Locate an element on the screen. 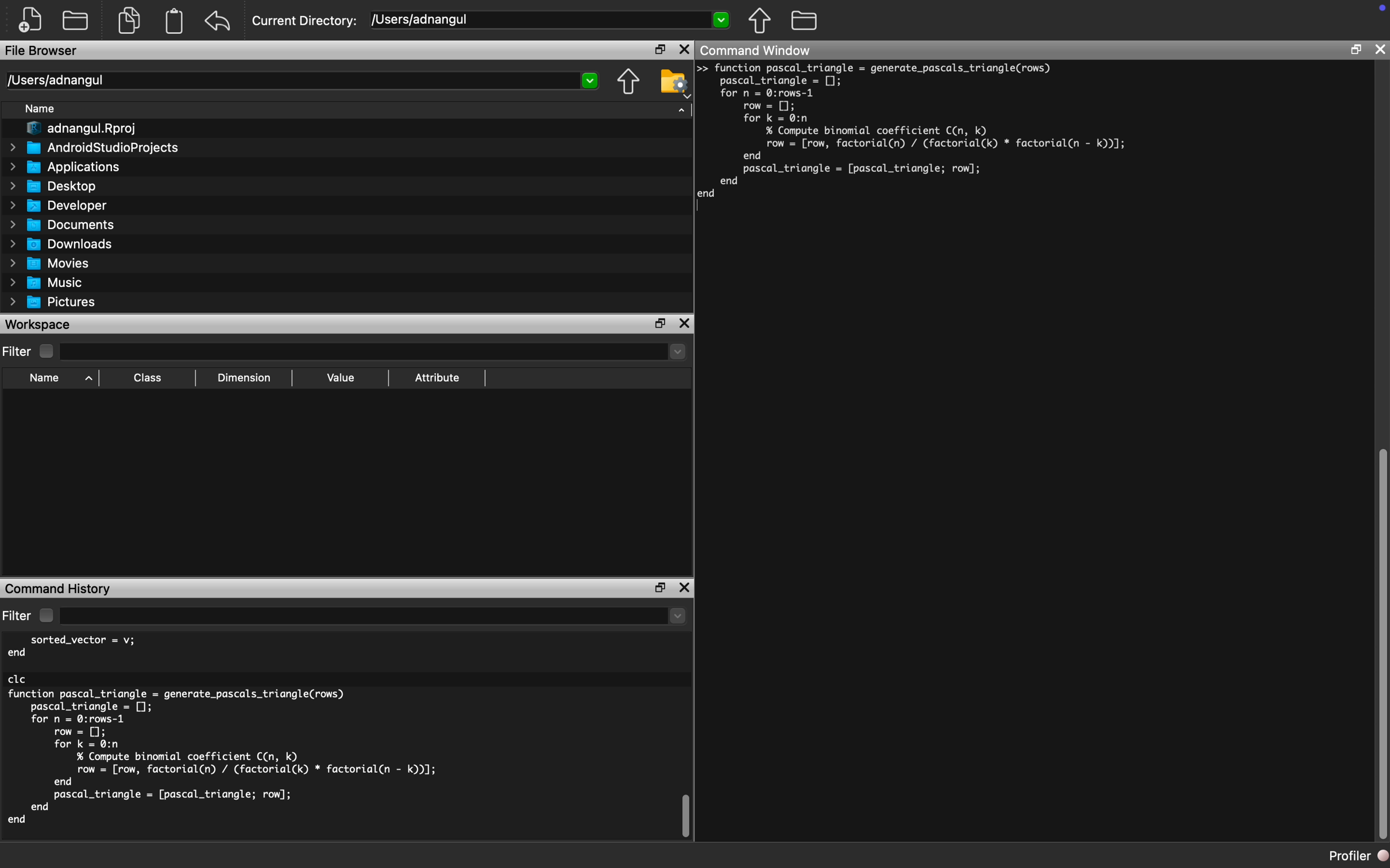 The width and height of the screenshot is (1390, 868). Parent Directory is located at coordinates (627, 83).